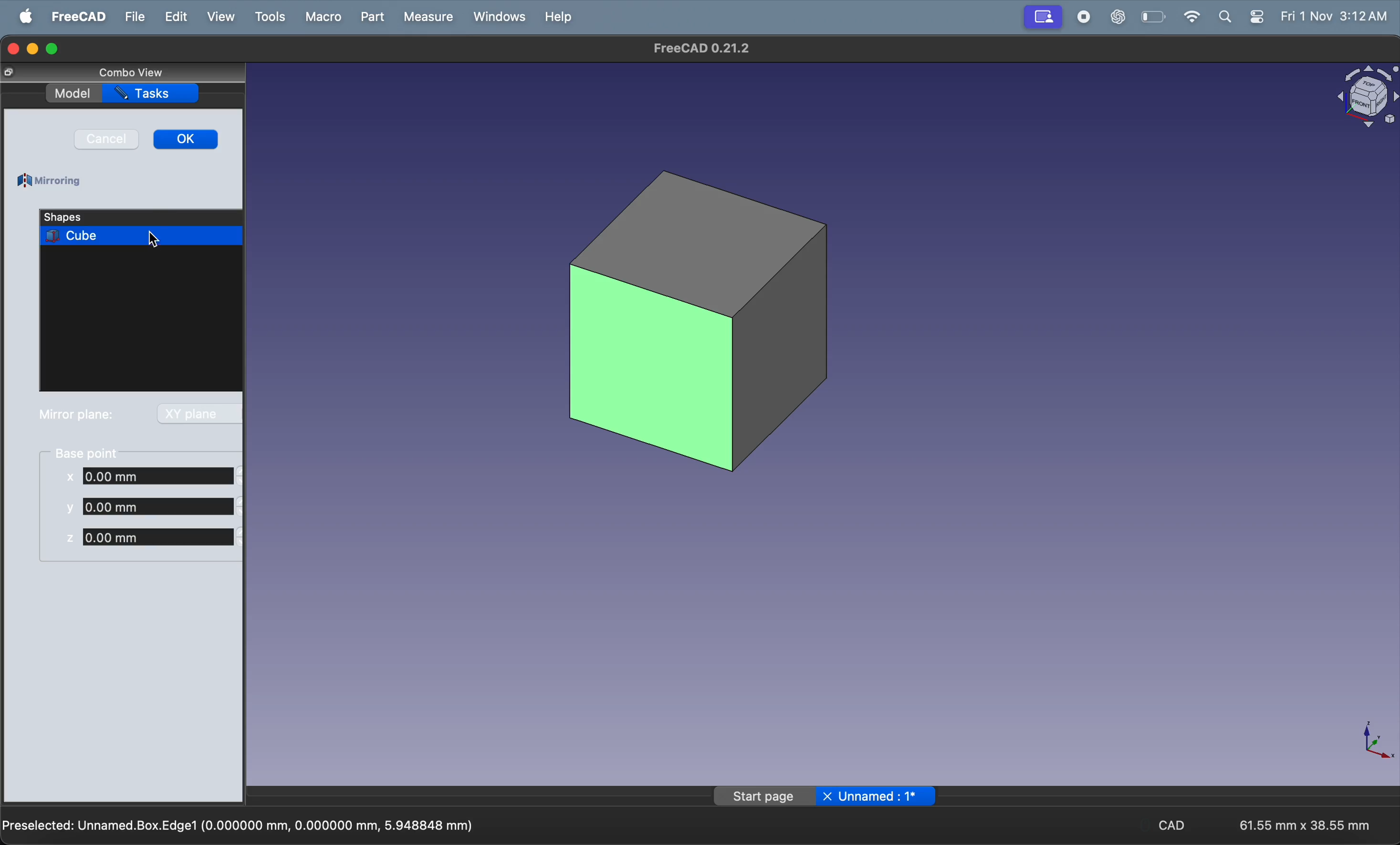 The image size is (1400, 845). What do you see at coordinates (497, 17) in the screenshot?
I see `window` at bounding box center [497, 17].